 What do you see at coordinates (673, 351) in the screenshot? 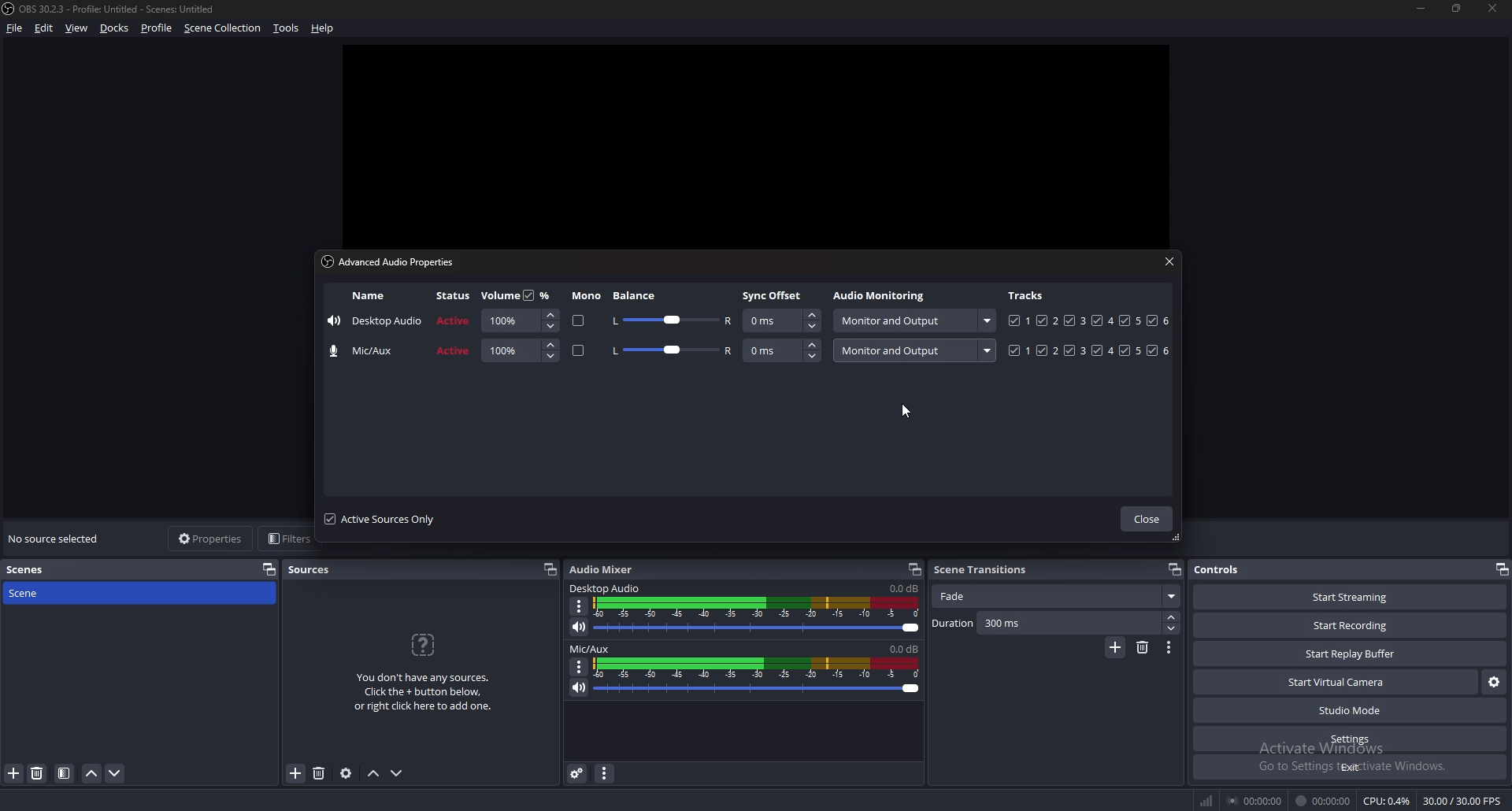
I see `balance adjust` at bounding box center [673, 351].